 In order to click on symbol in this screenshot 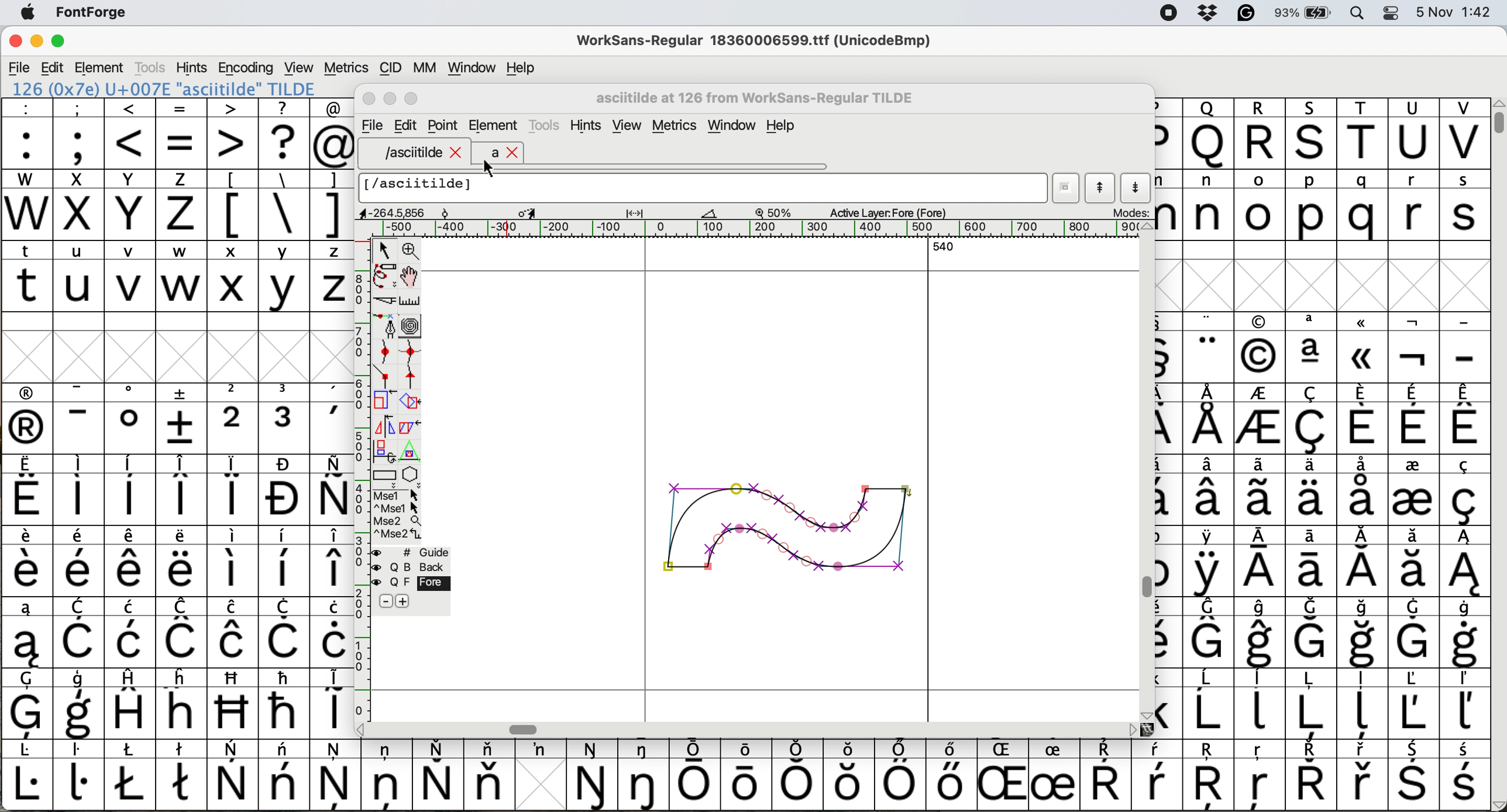, I will do `click(1262, 490)`.